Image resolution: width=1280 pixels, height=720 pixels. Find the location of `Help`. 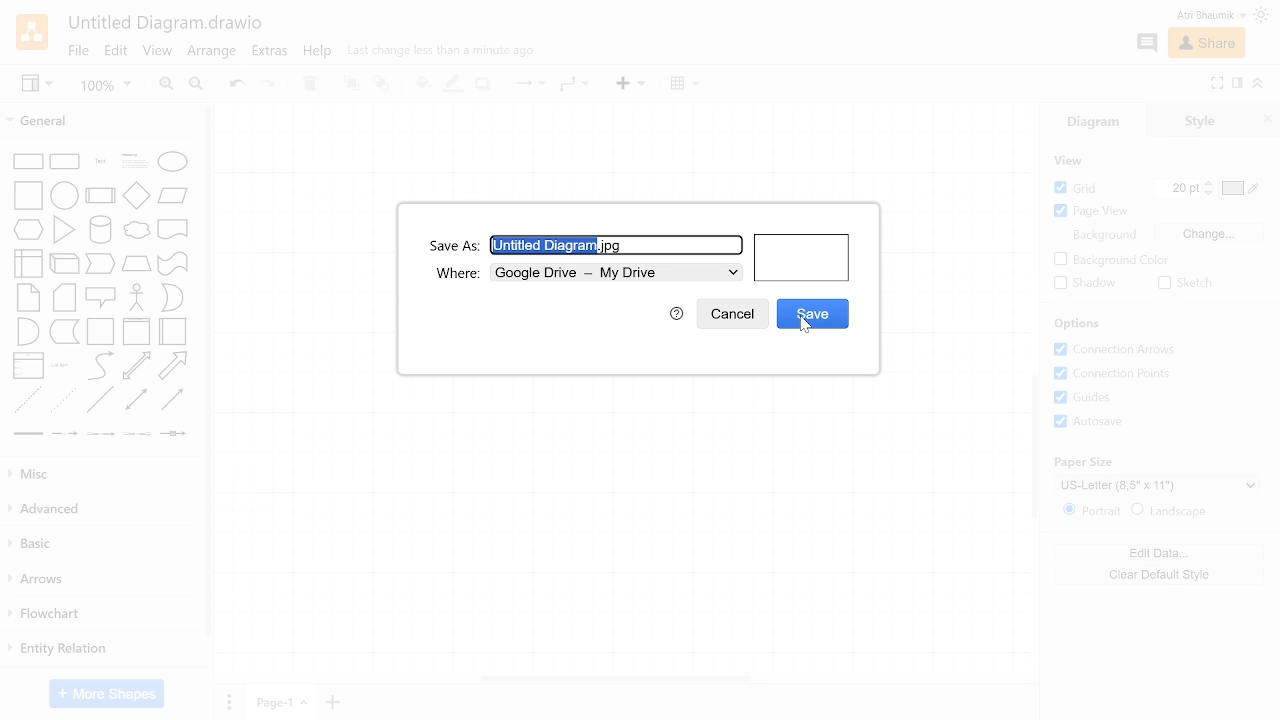

Help is located at coordinates (675, 313).